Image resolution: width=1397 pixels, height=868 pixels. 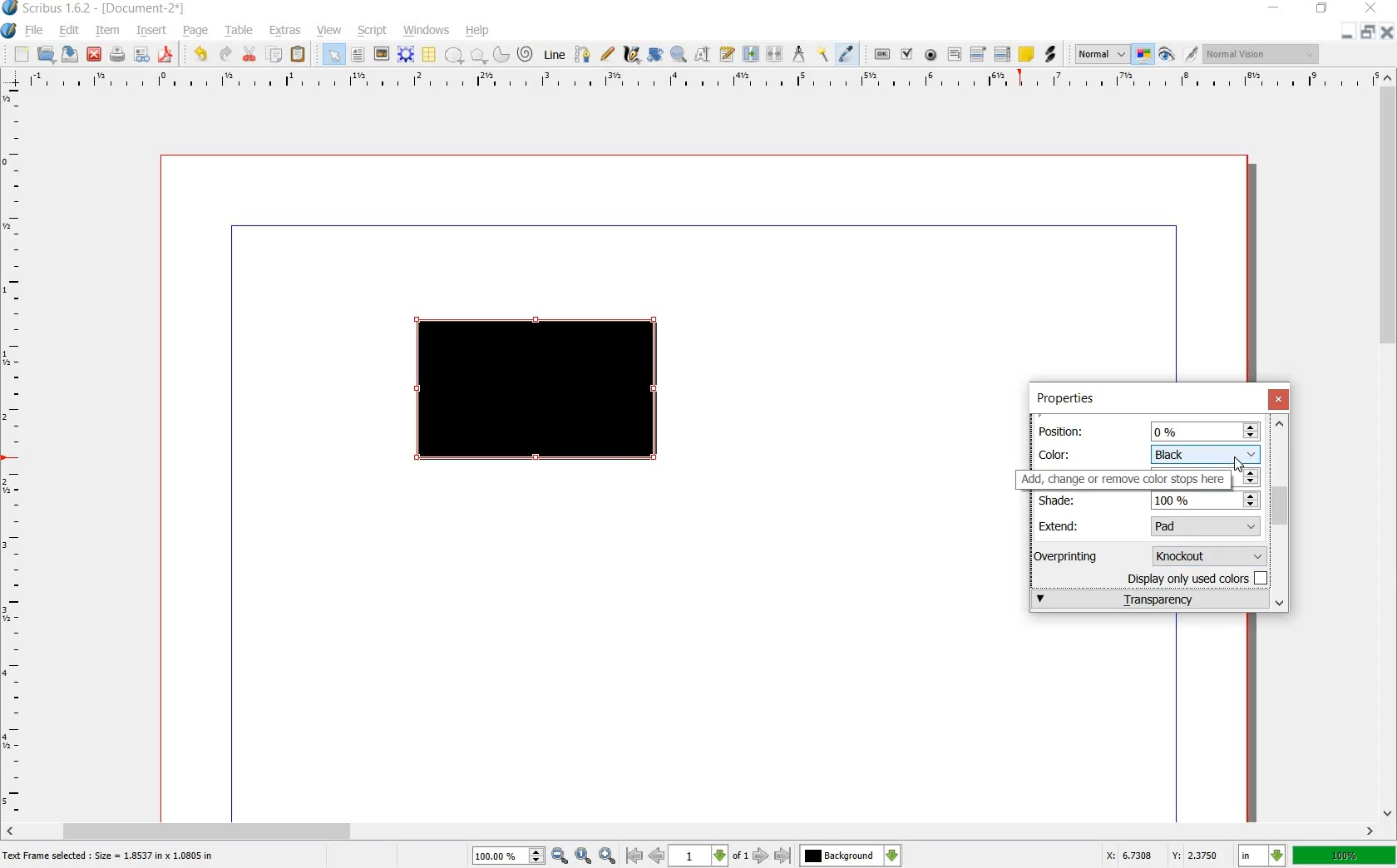 I want to click on scroll bar, so click(x=1389, y=446).